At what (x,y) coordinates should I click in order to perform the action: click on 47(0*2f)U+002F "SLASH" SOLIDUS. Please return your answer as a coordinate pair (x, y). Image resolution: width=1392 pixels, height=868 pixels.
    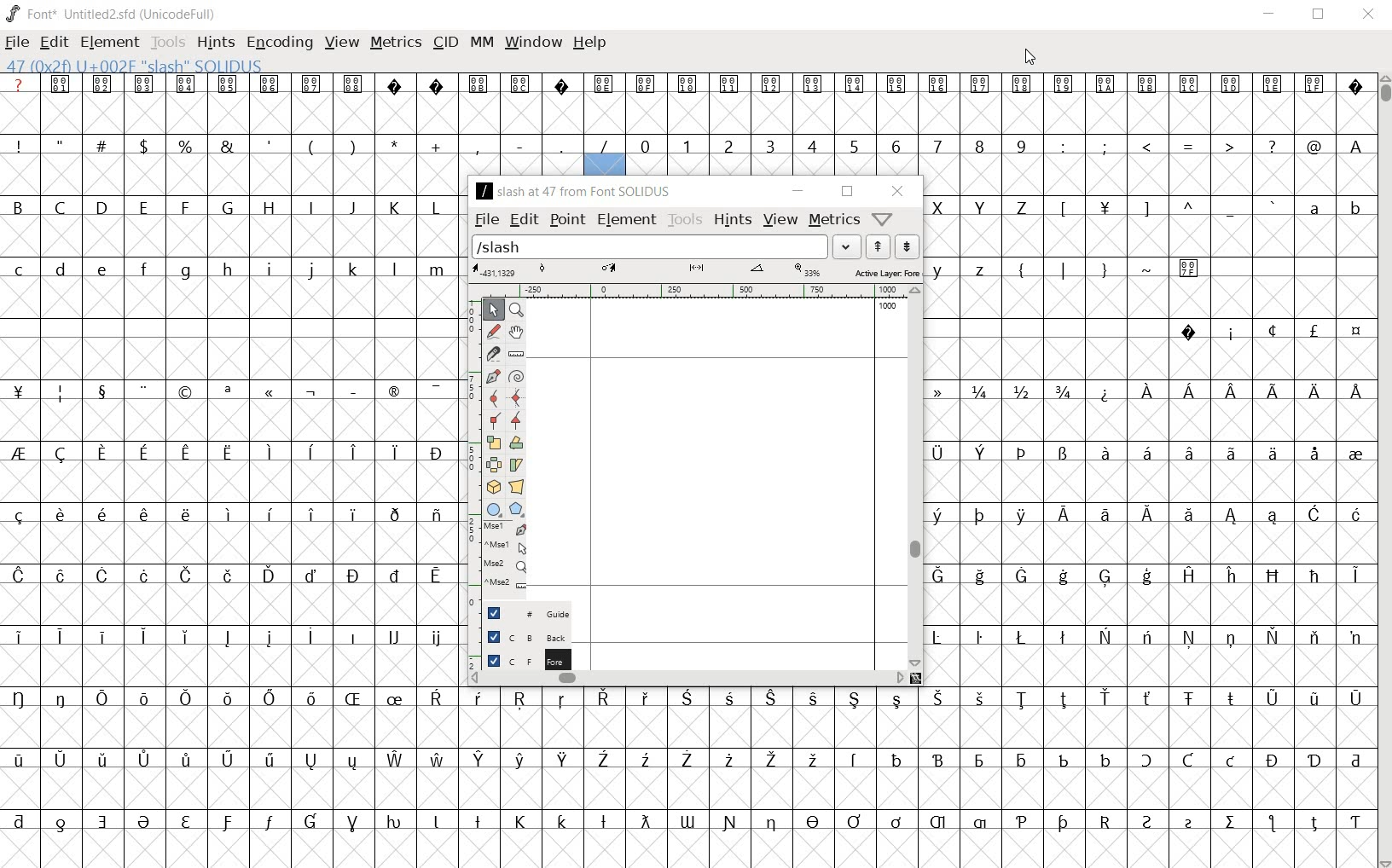
    Looking at the image, I should click on (134, 65).